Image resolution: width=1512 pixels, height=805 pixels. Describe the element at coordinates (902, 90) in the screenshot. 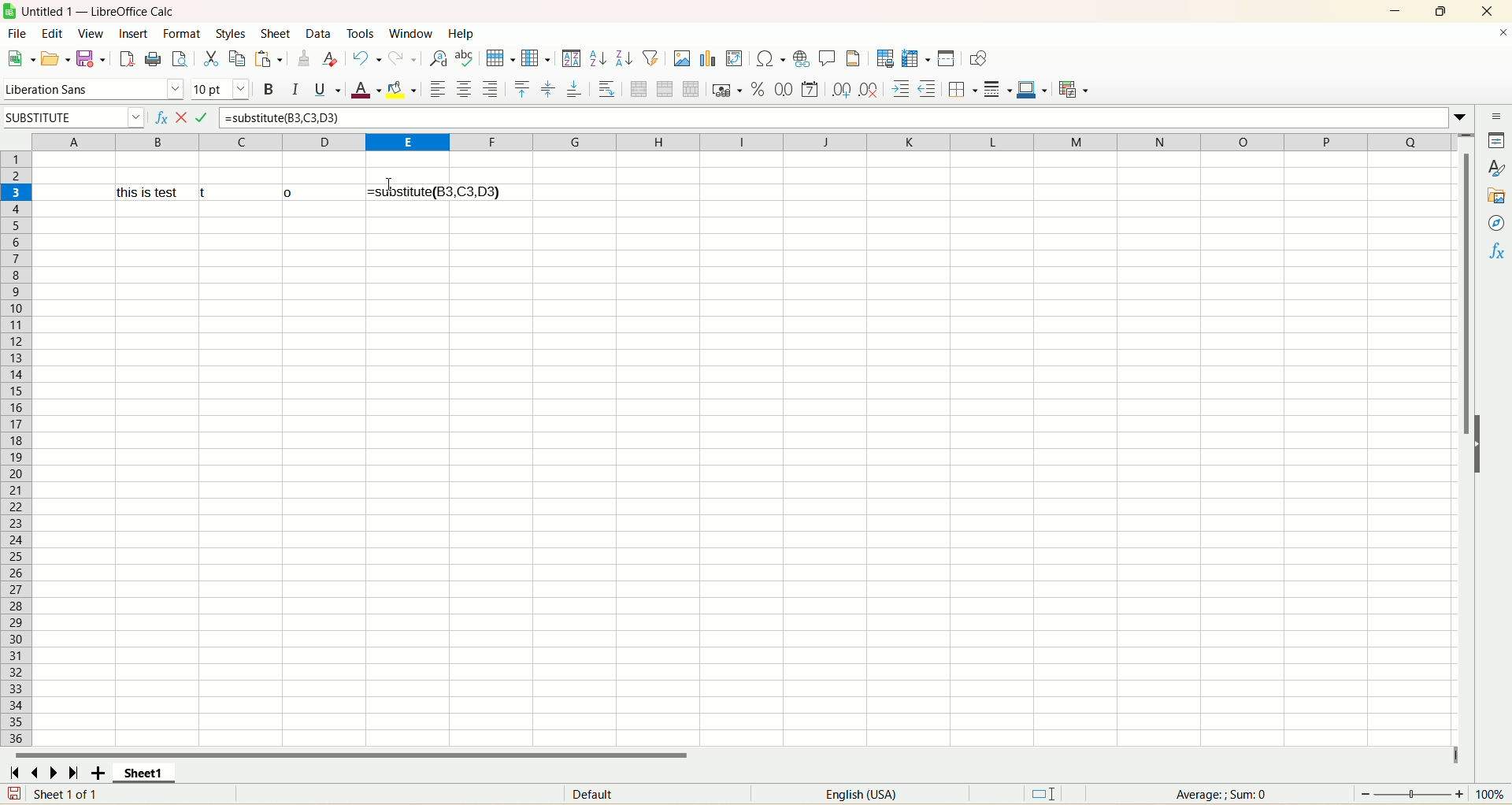

I see `increase indent` at that location.